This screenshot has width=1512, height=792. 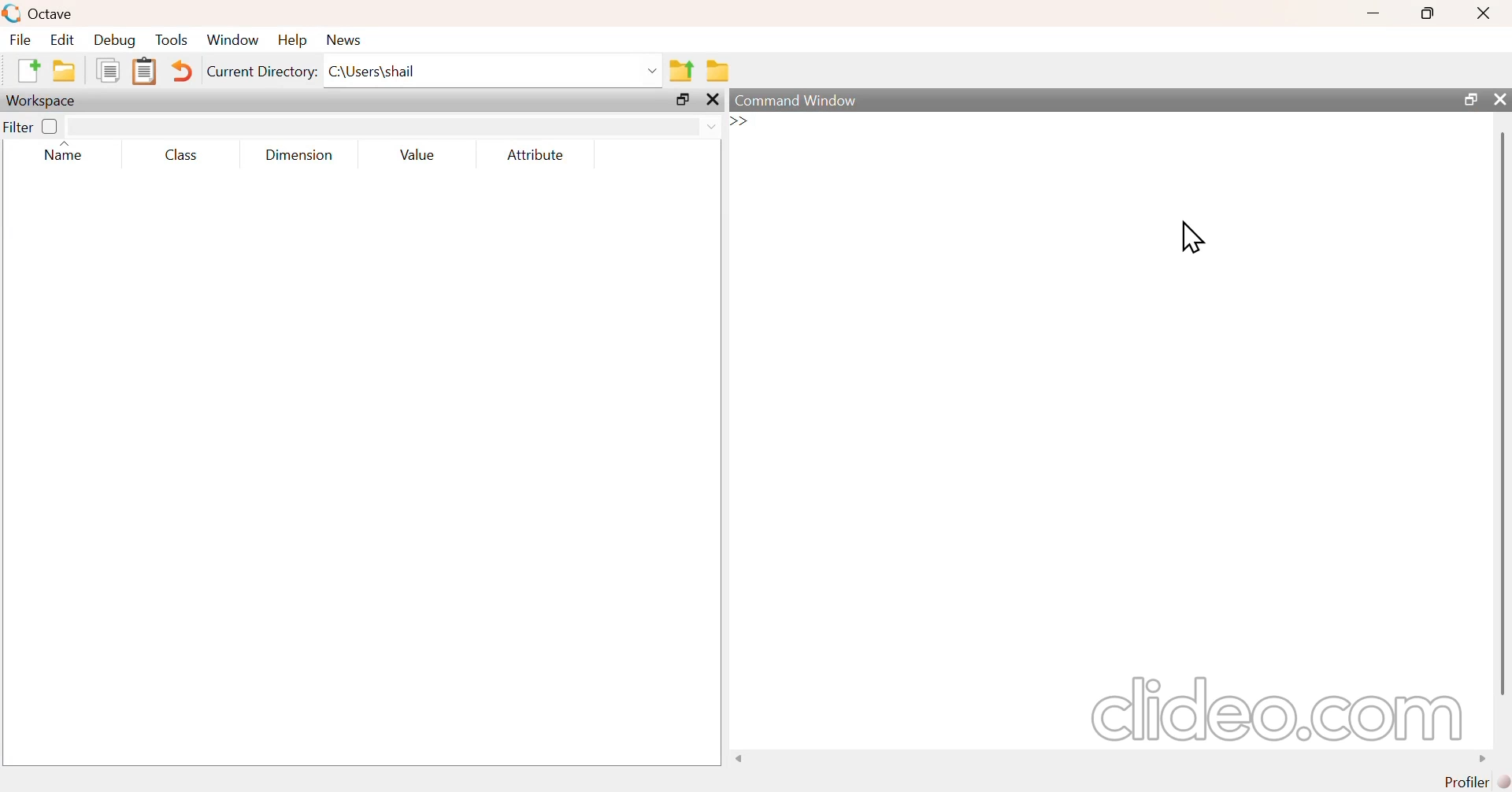 What do you see at coordinates (263, 72) in the screenshot?
I see `current directory` at bounding box center [263, 72].